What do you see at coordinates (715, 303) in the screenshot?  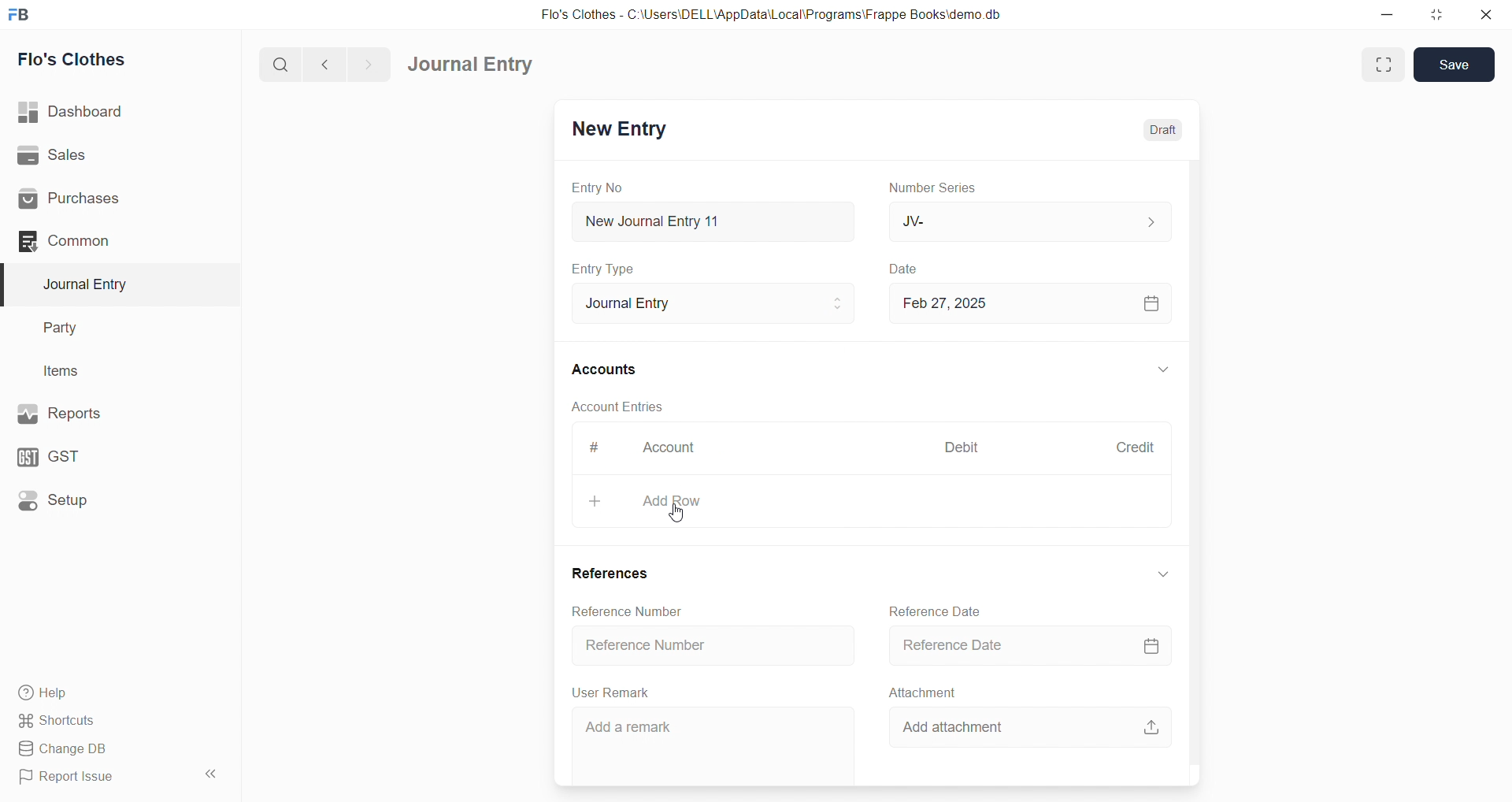 I see `Journal Entry` at bounding box center [715, 303].